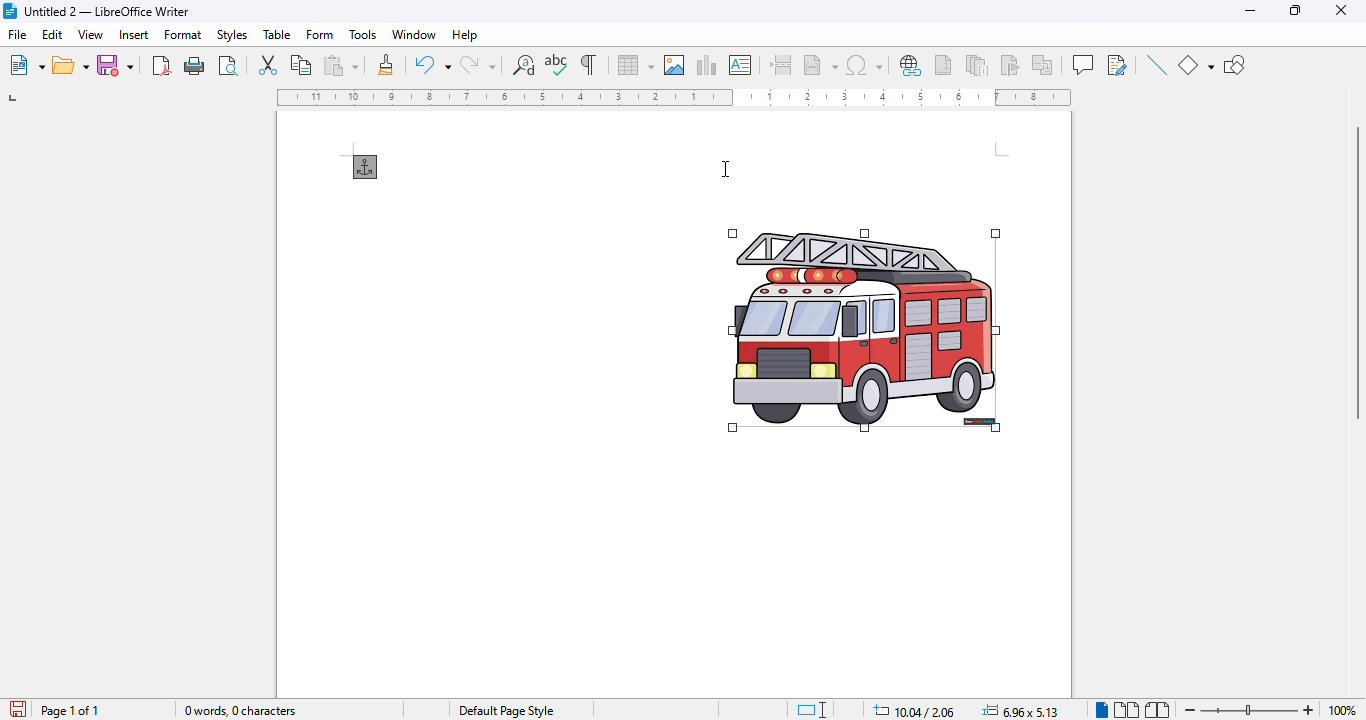 The image size is (1366, 720). What do you see at coordinates (1009, 65) in the screenshot?
I see `insert bookmark` at bounding box center [1009, 65].